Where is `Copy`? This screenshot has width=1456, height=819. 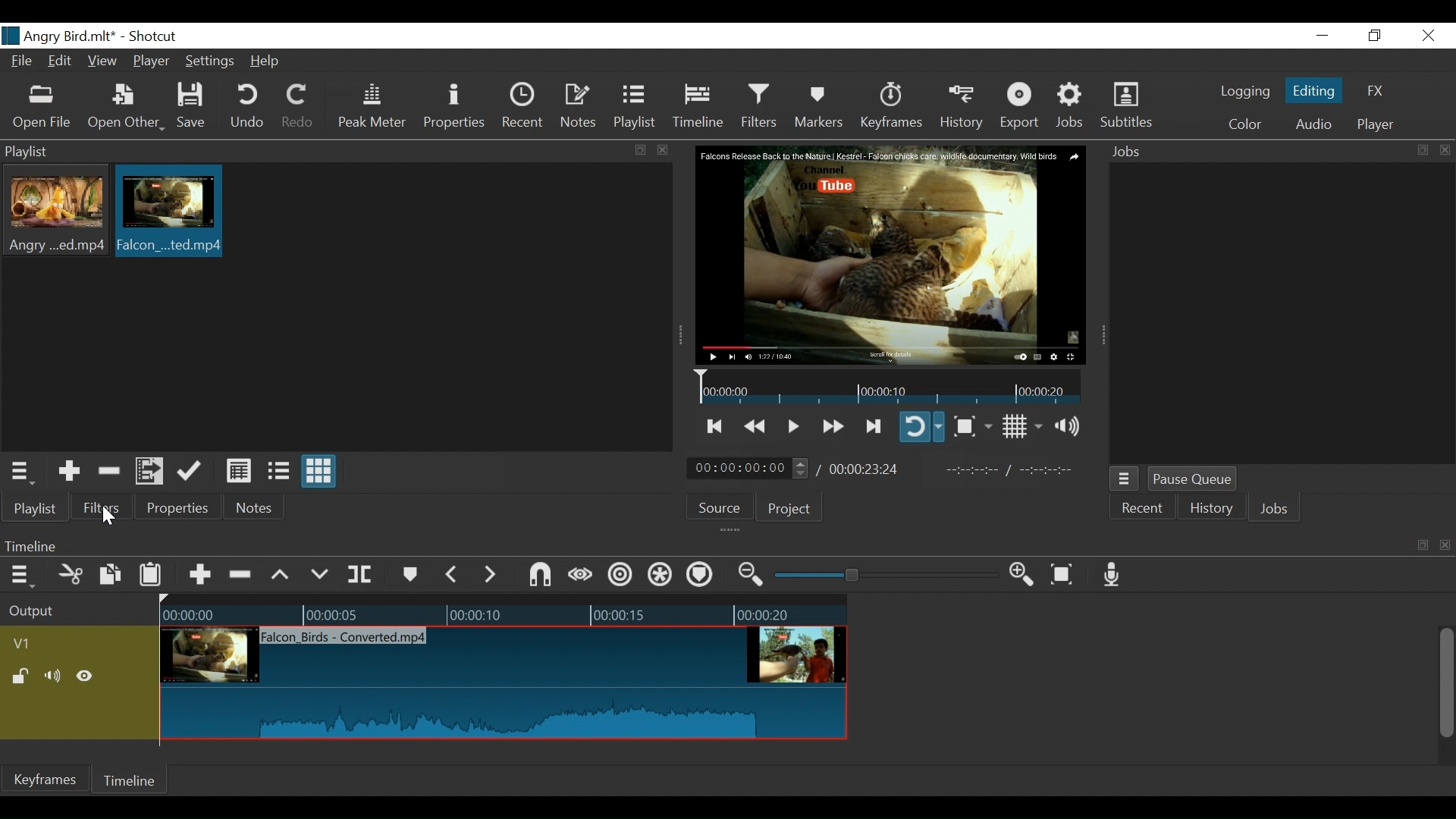
Copy is located at coordinates (112, 577).